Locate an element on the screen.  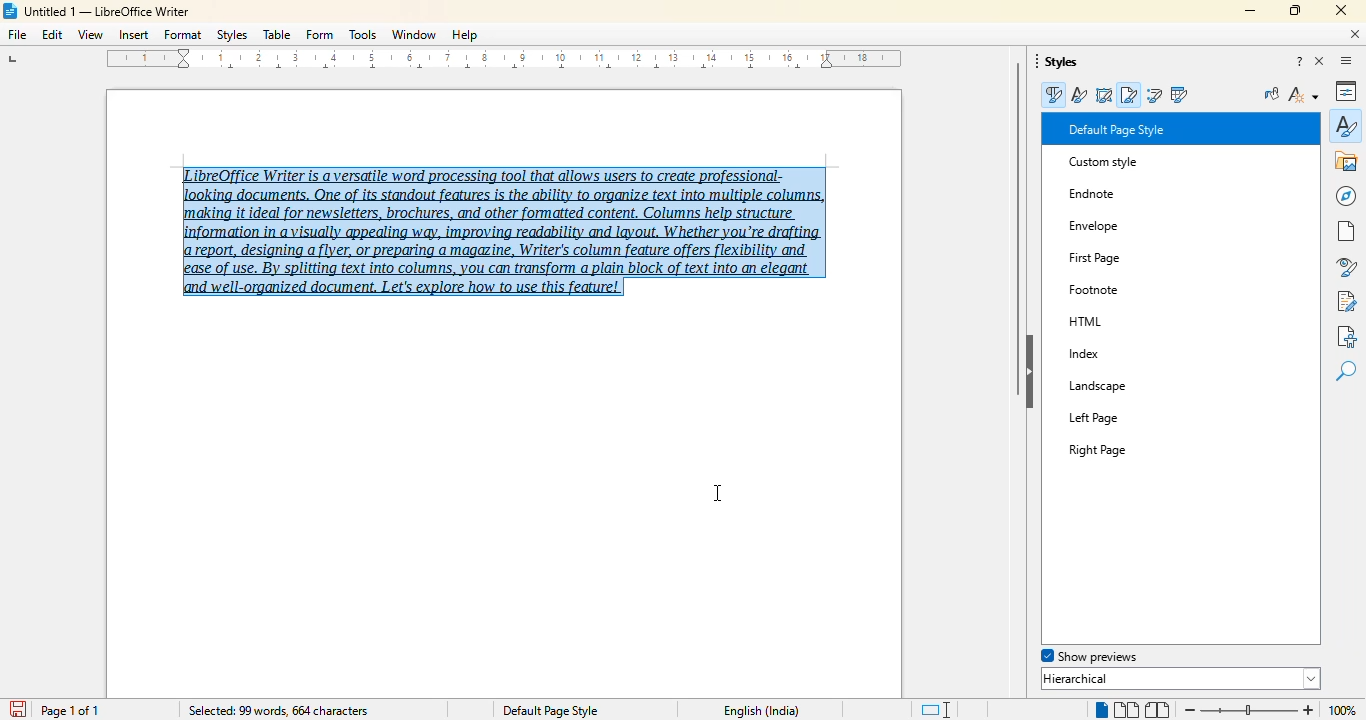
vertical scroll bar is located at coordinates (1019, 228).